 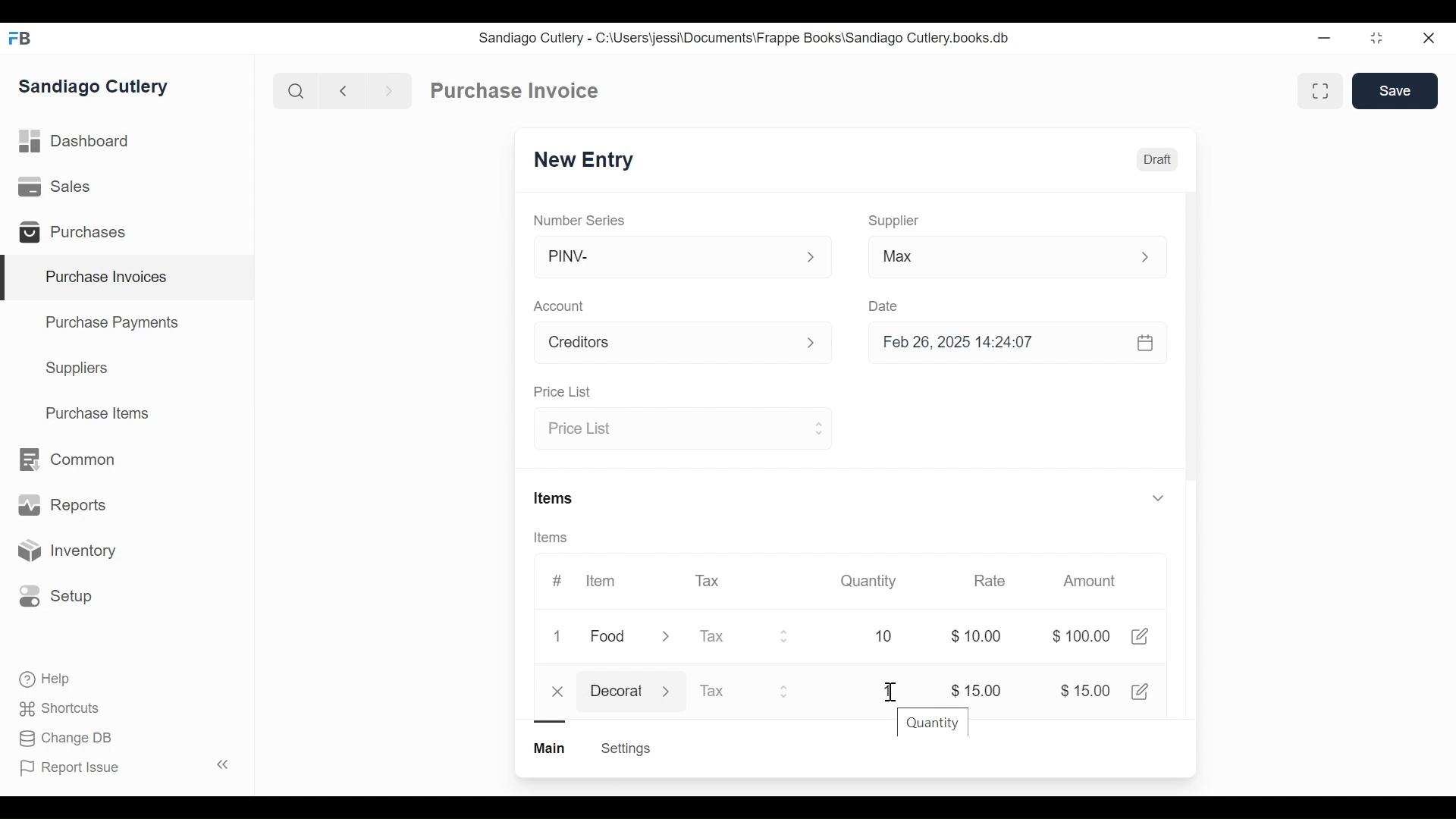 I want to click on Food, so click(x=610, y=638).